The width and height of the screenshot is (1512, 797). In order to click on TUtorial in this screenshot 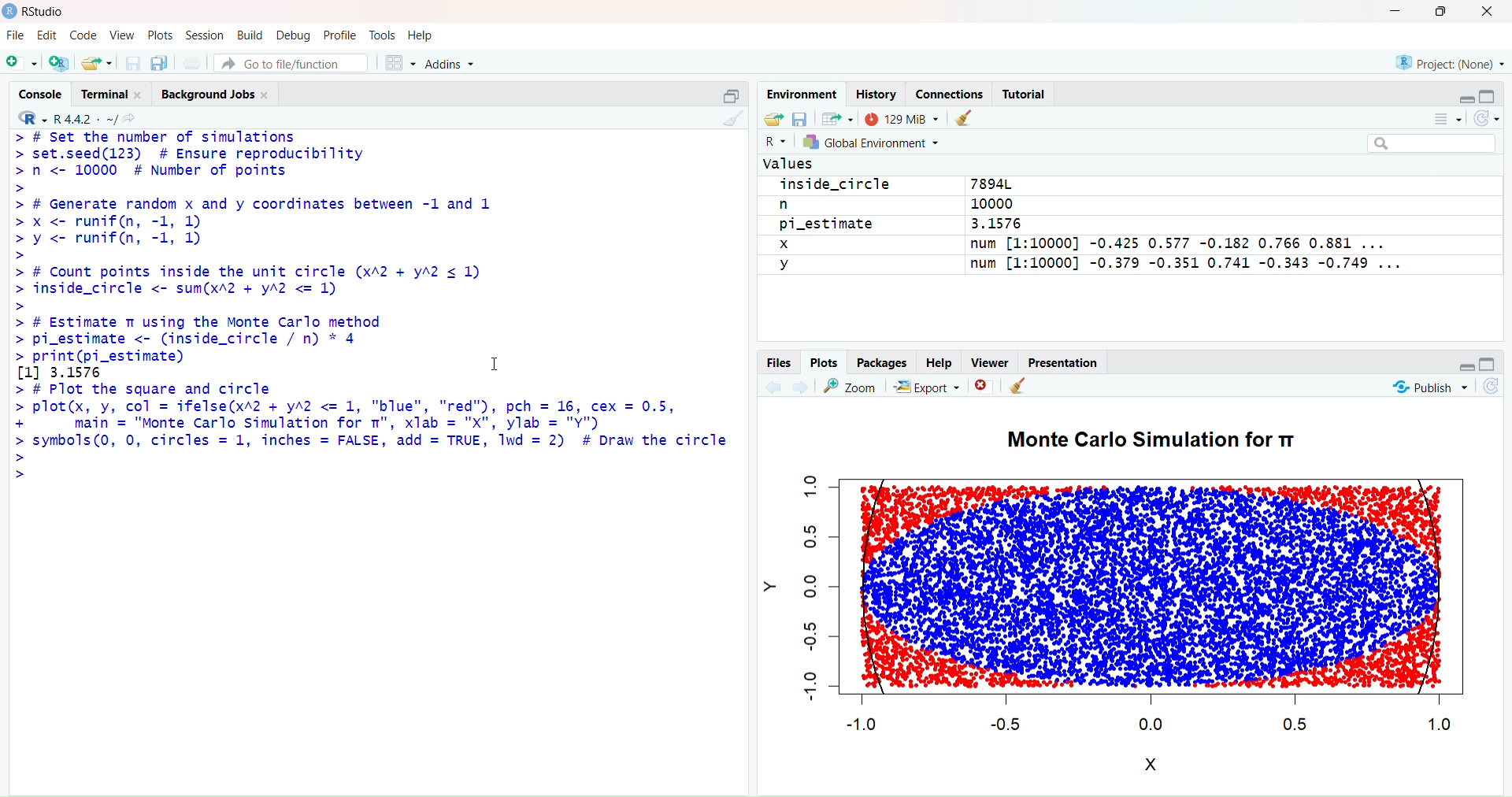, I will do `click(1028, 91)`.